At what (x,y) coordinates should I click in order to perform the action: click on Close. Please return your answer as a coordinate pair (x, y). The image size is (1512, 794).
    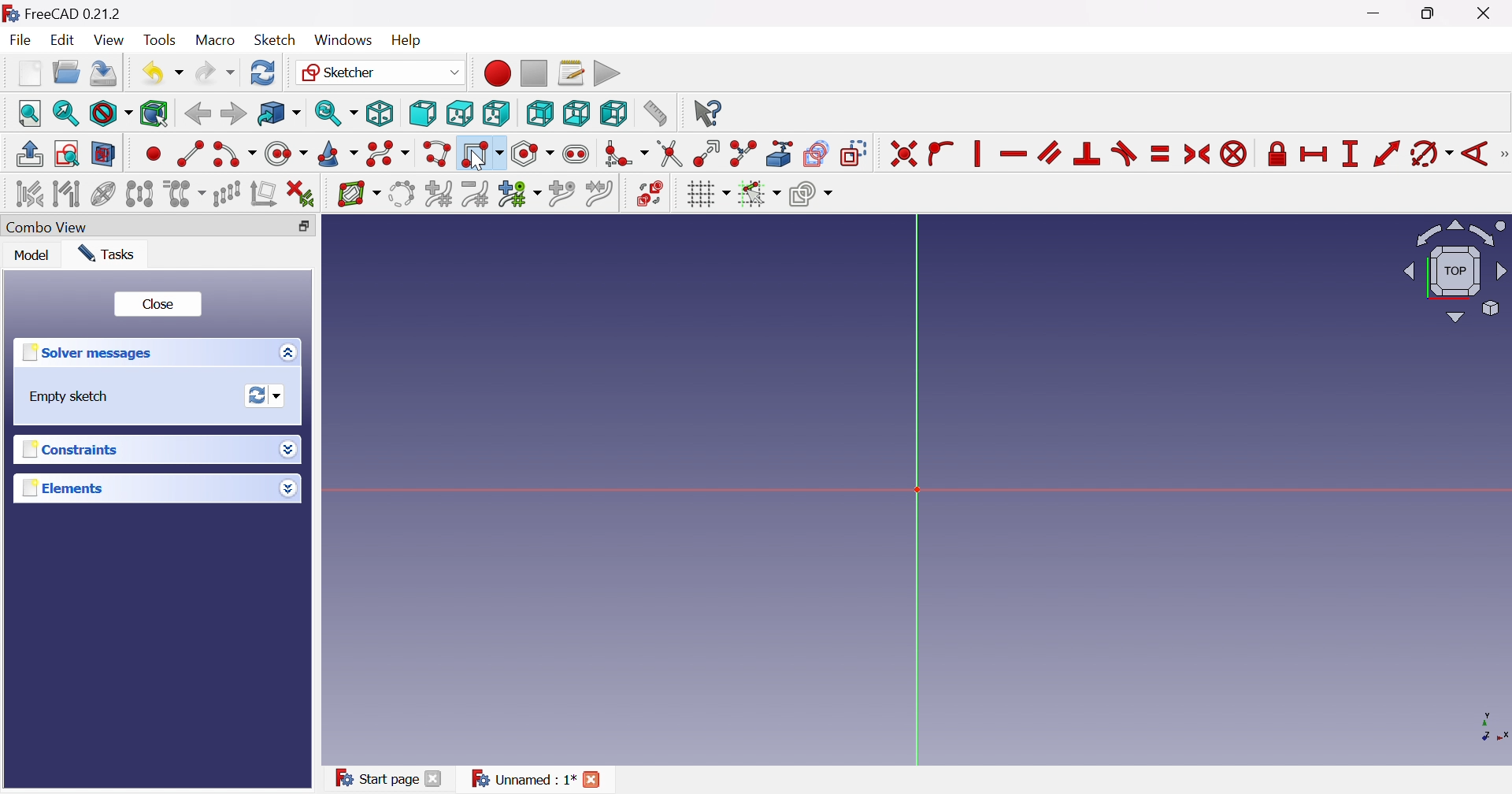
    Looking at the image, I should click on (160, 302).